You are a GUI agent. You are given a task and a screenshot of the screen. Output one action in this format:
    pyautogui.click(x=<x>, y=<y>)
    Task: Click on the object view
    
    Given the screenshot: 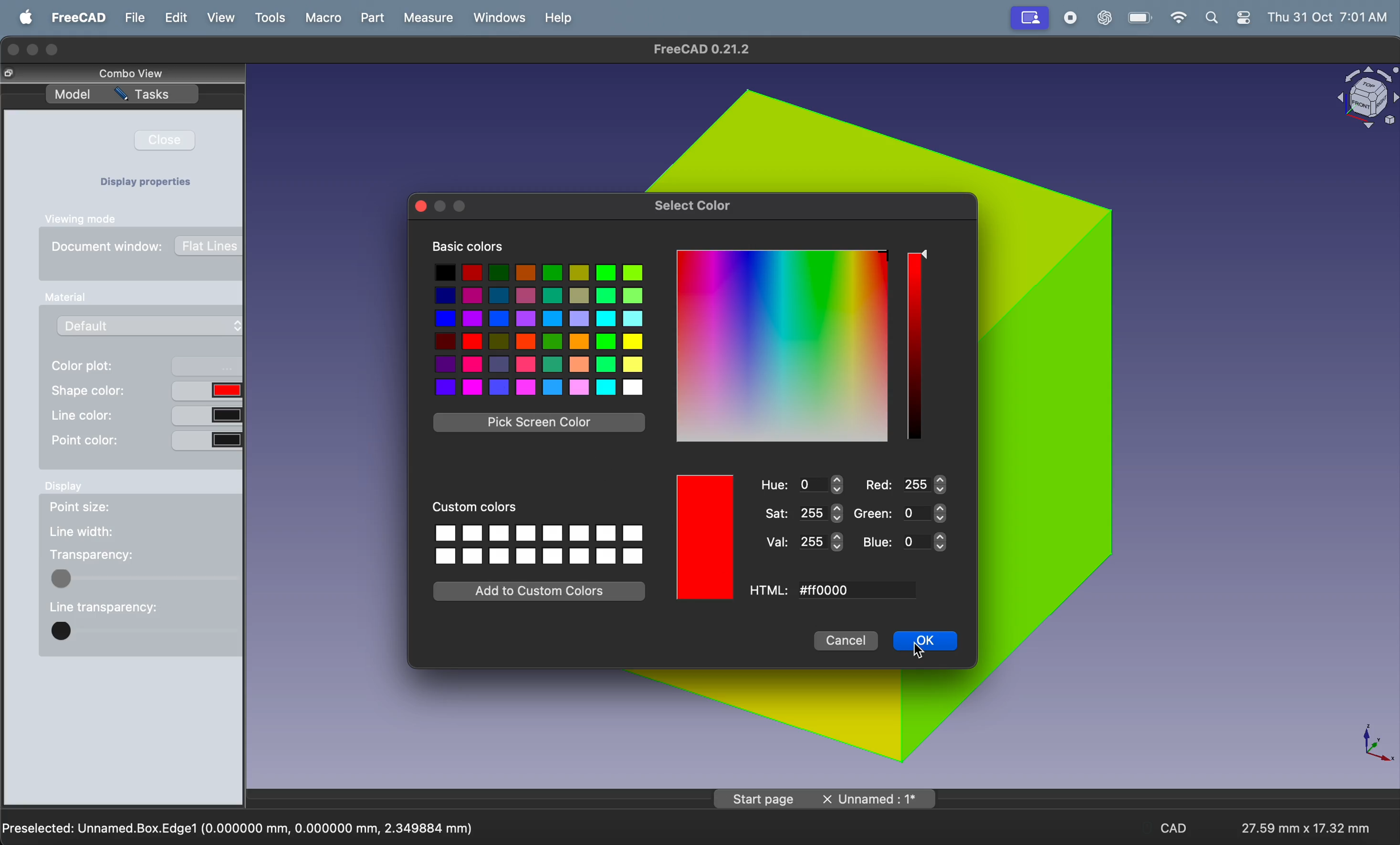 What is the action you would take?
    pyautogui.click(x=1364, y=99)
    